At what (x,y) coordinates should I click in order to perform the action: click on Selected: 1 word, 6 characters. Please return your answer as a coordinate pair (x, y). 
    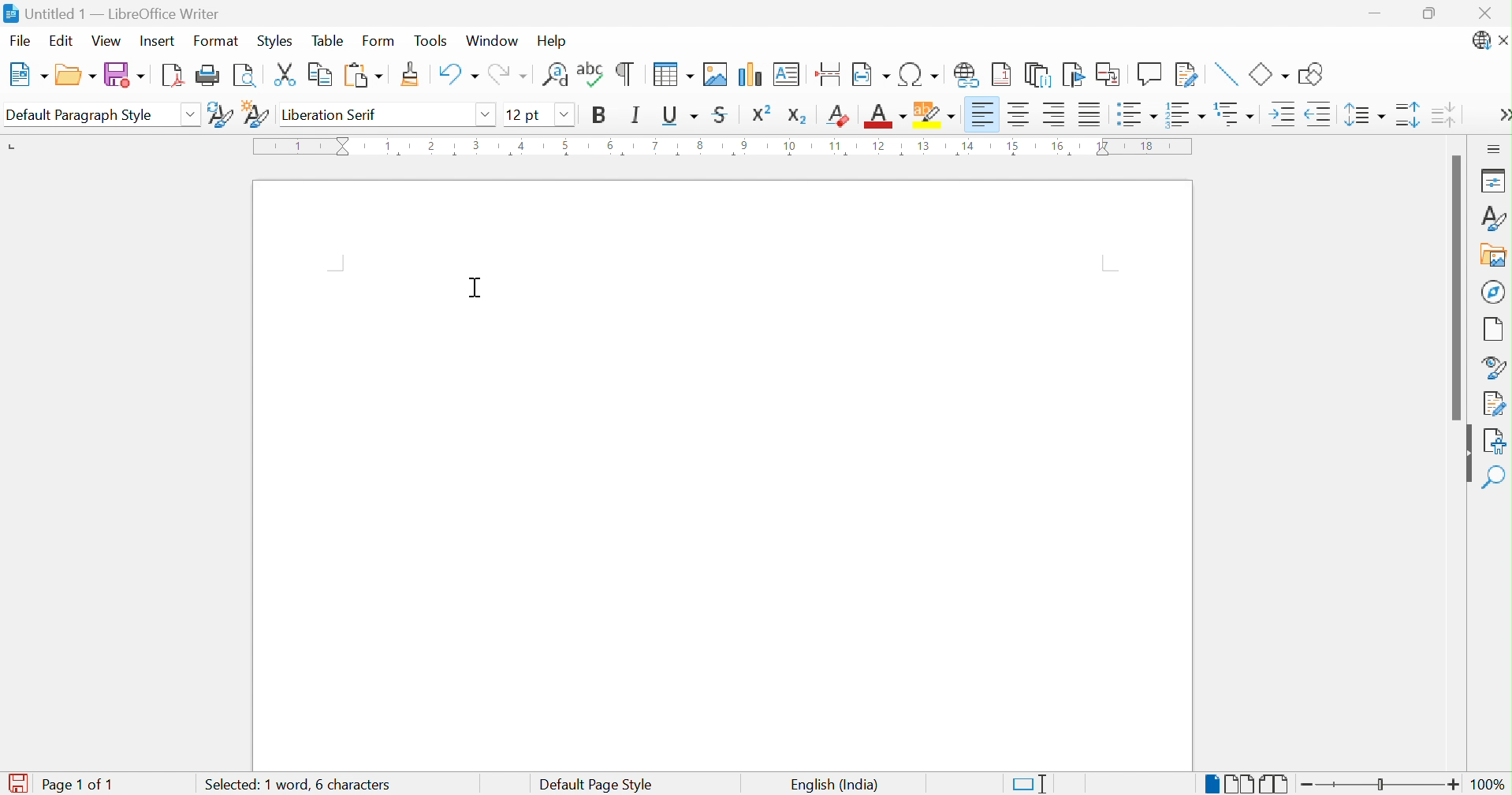
    Looking at the image, I should click on (293, 785).